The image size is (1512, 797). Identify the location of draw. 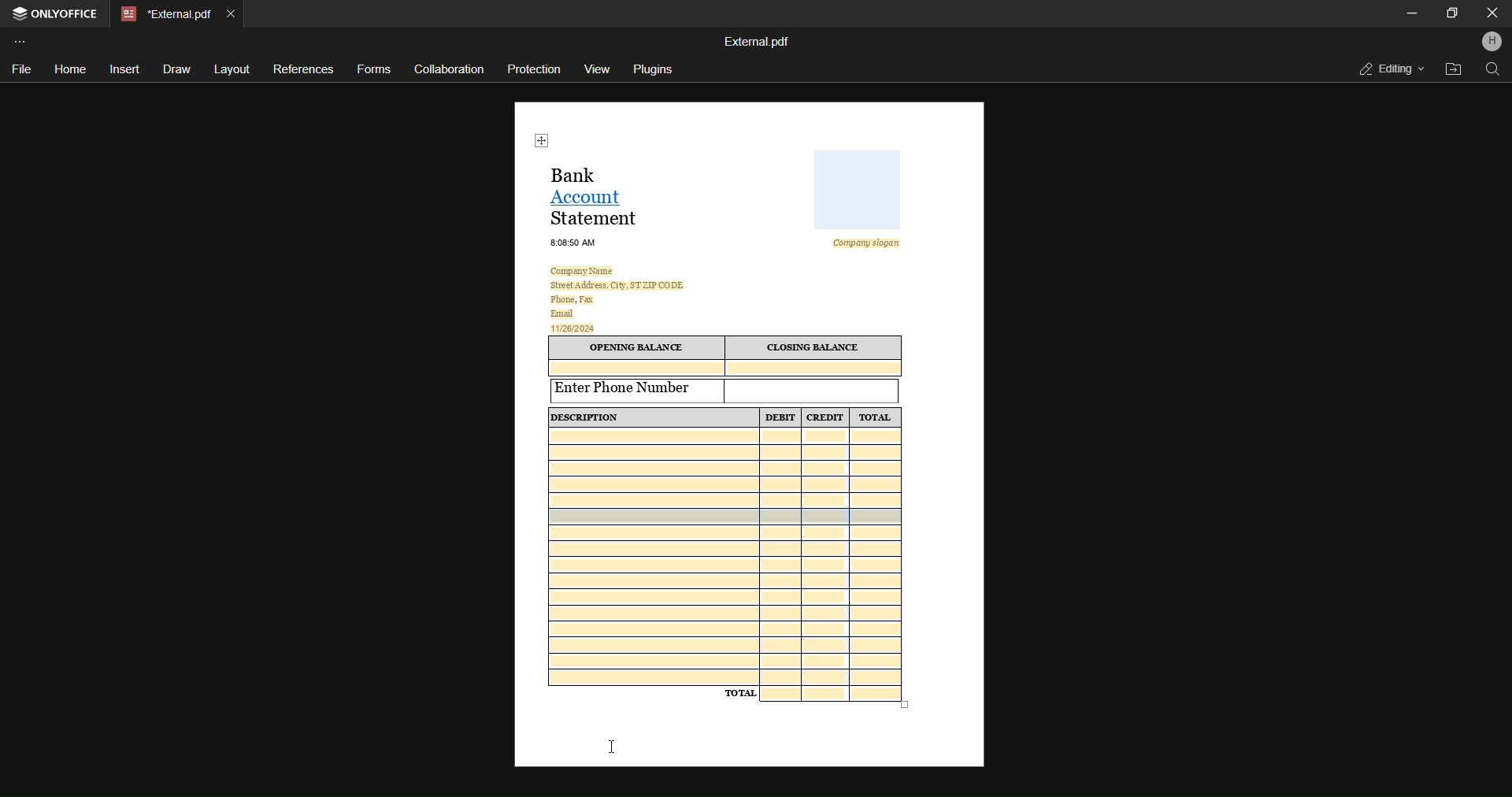
(176, 71).